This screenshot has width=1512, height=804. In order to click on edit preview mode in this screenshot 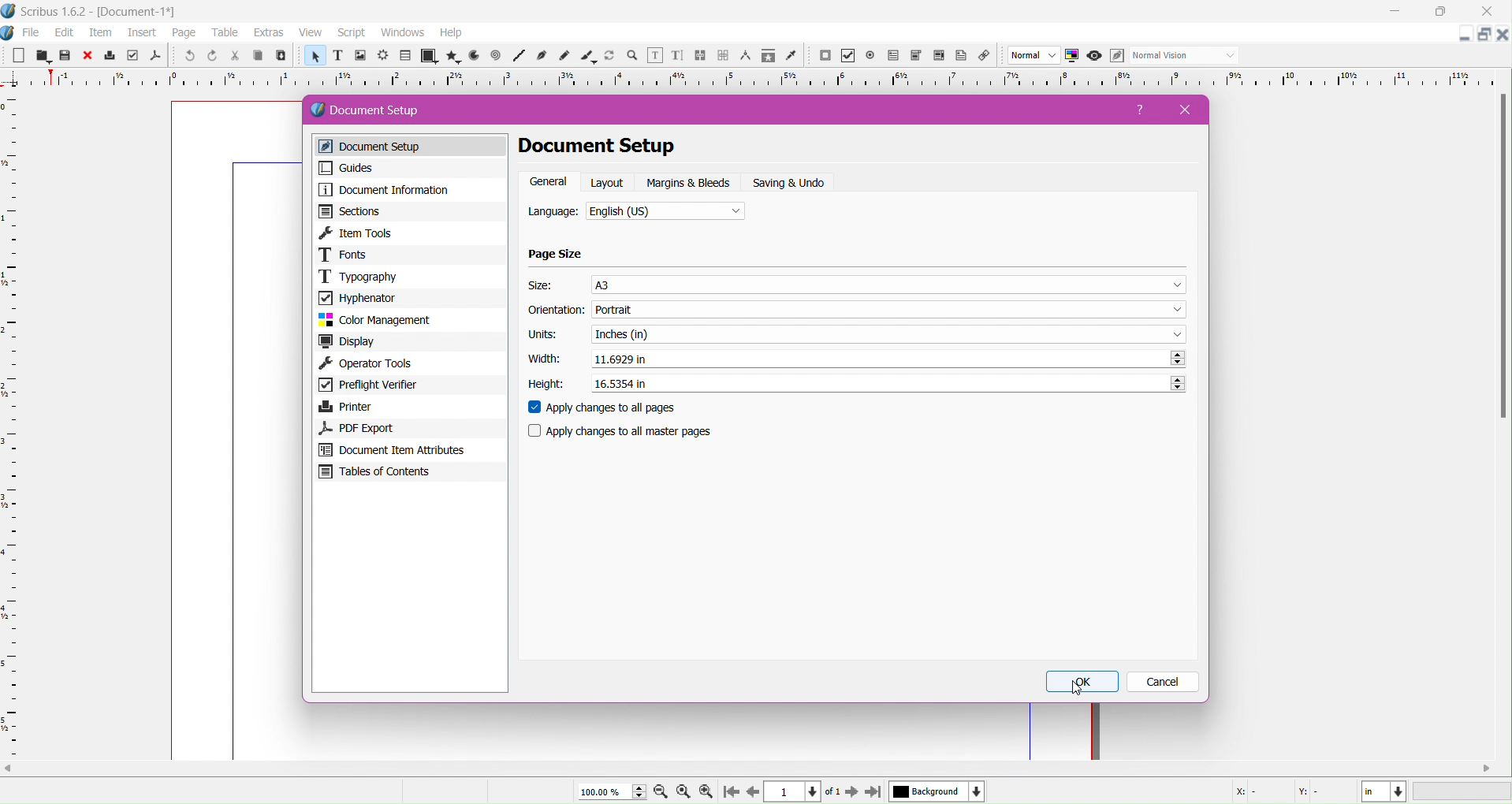, I will do `click(1116, 56)`.